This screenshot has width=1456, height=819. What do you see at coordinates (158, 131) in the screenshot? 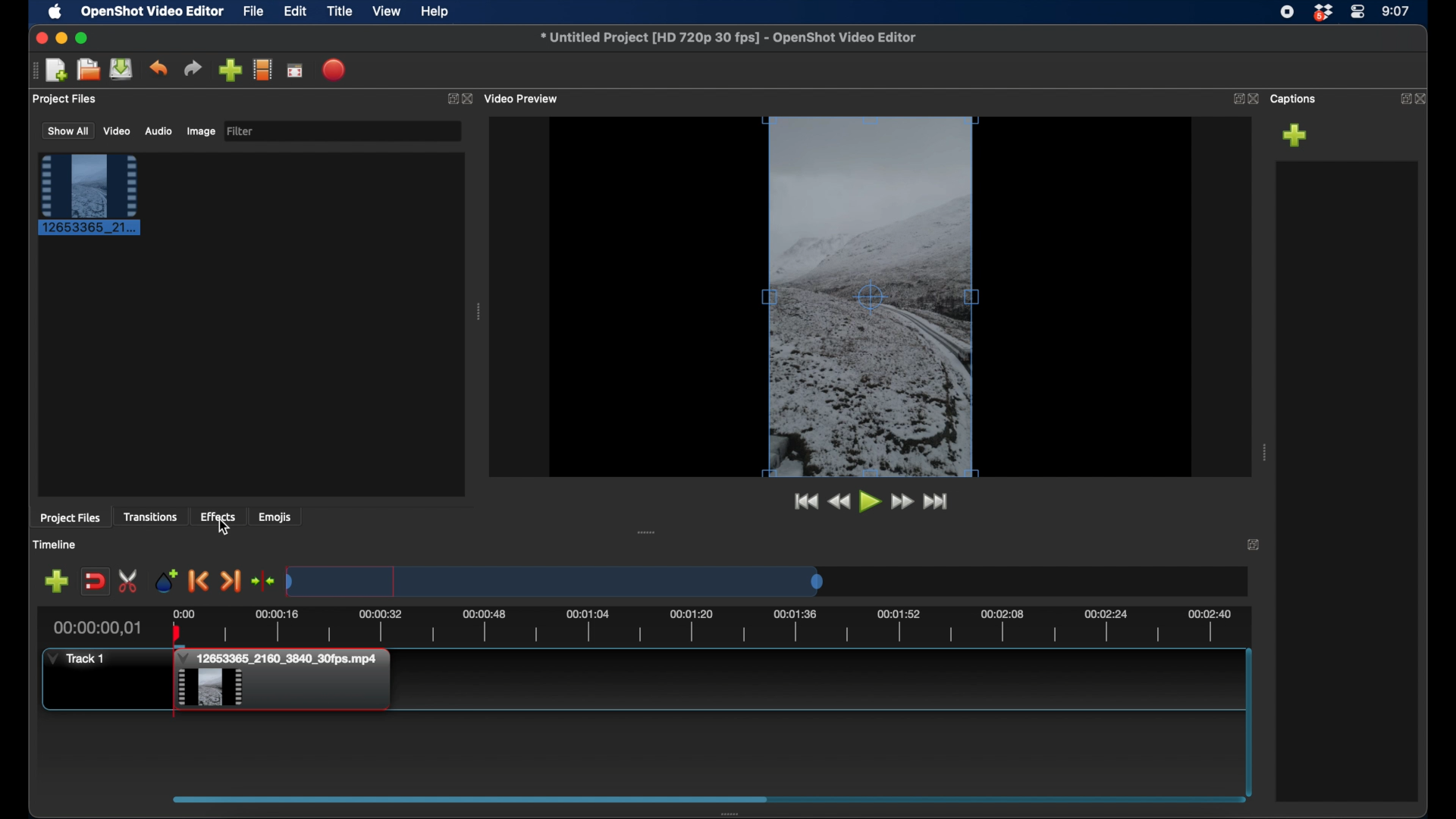
I see `audio` at bounding box center [158, 131].